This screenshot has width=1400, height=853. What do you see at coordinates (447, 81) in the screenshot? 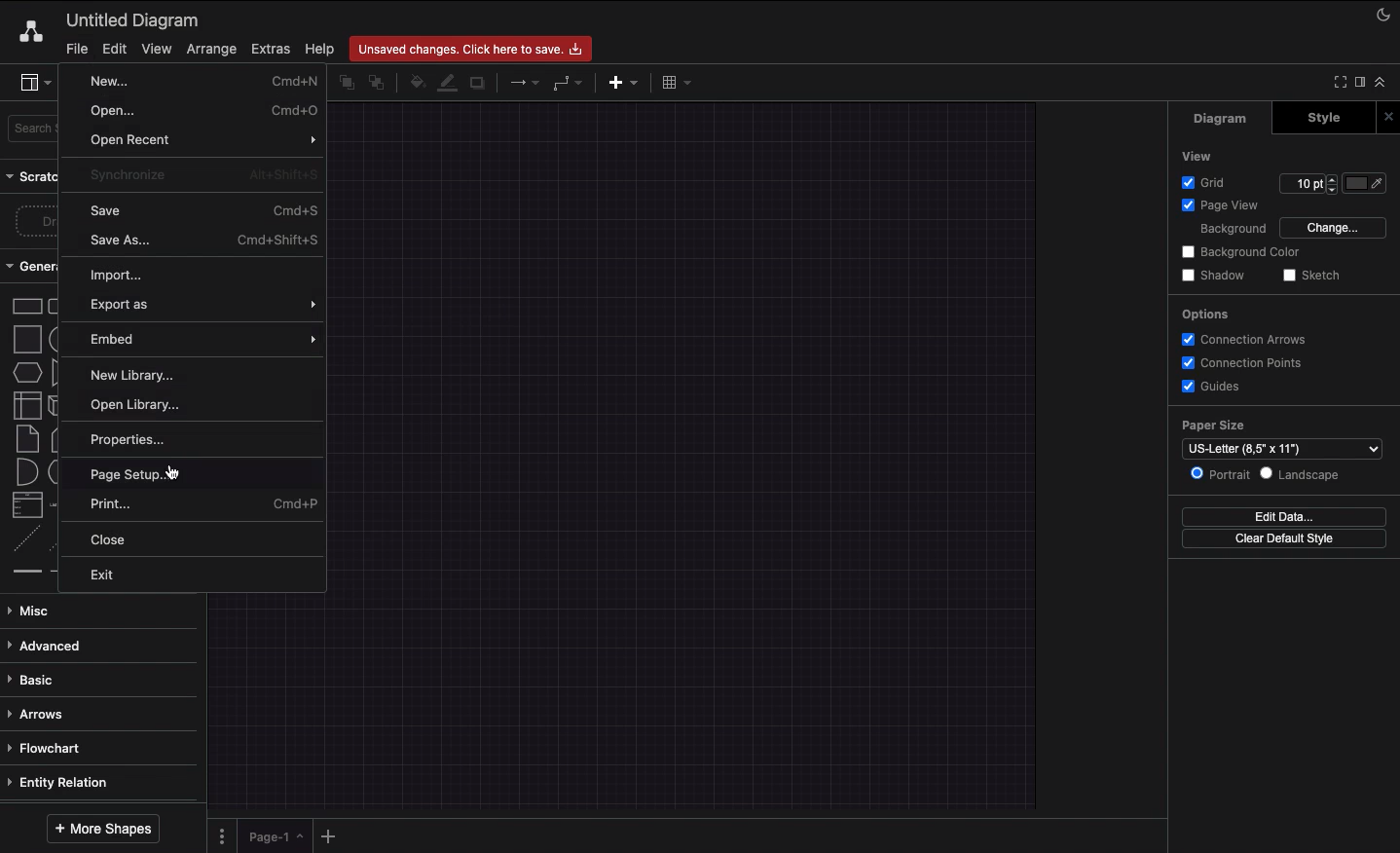
I see `Line color` at bounding box center [447, 81].